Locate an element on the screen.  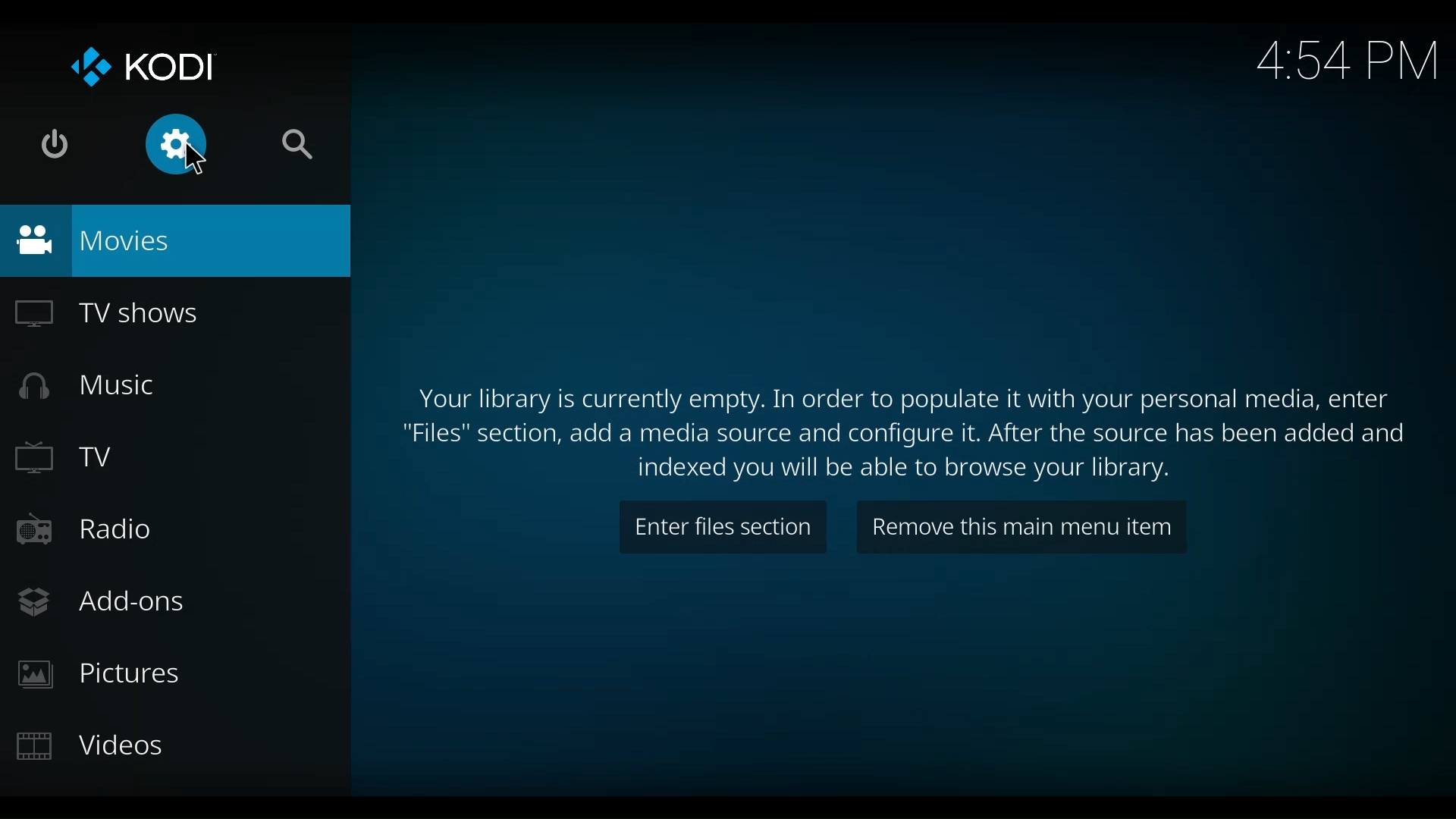
Your library is currently empty. In order to populate it with  is located at coordinates (899, 399).